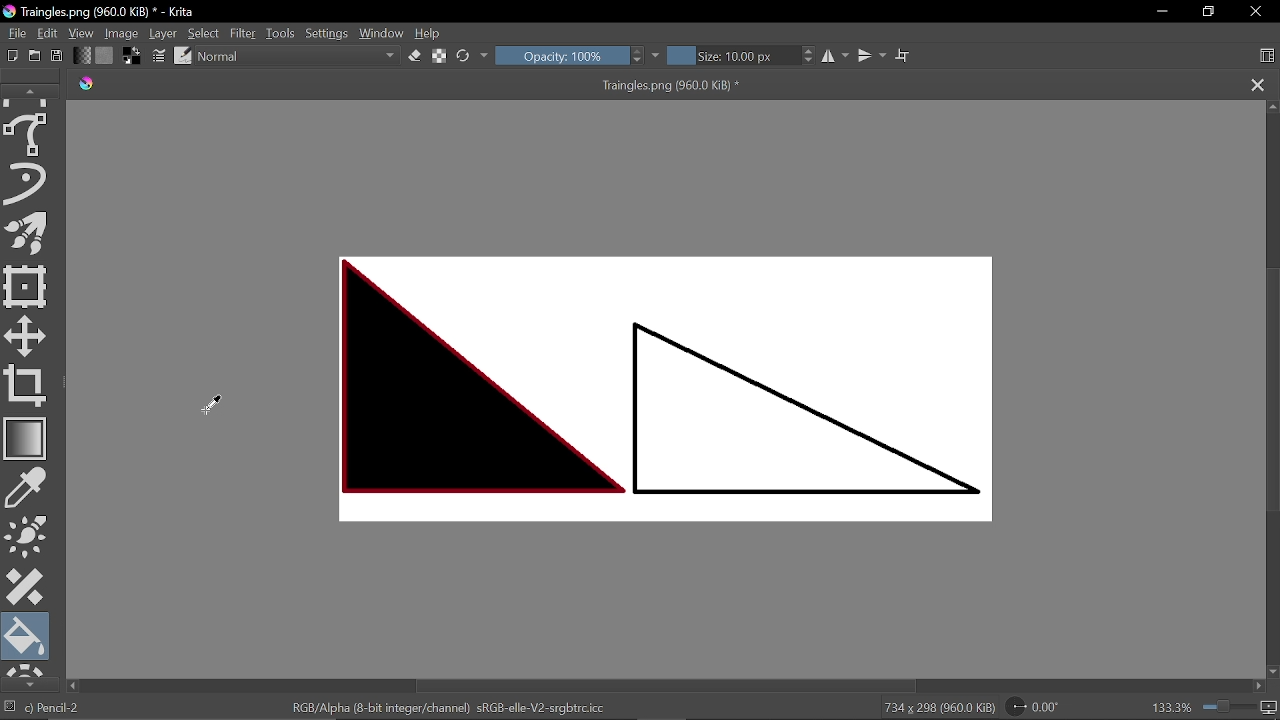 The image size is (1280, 720). I want to click on Minimize, so click(1159, 12).